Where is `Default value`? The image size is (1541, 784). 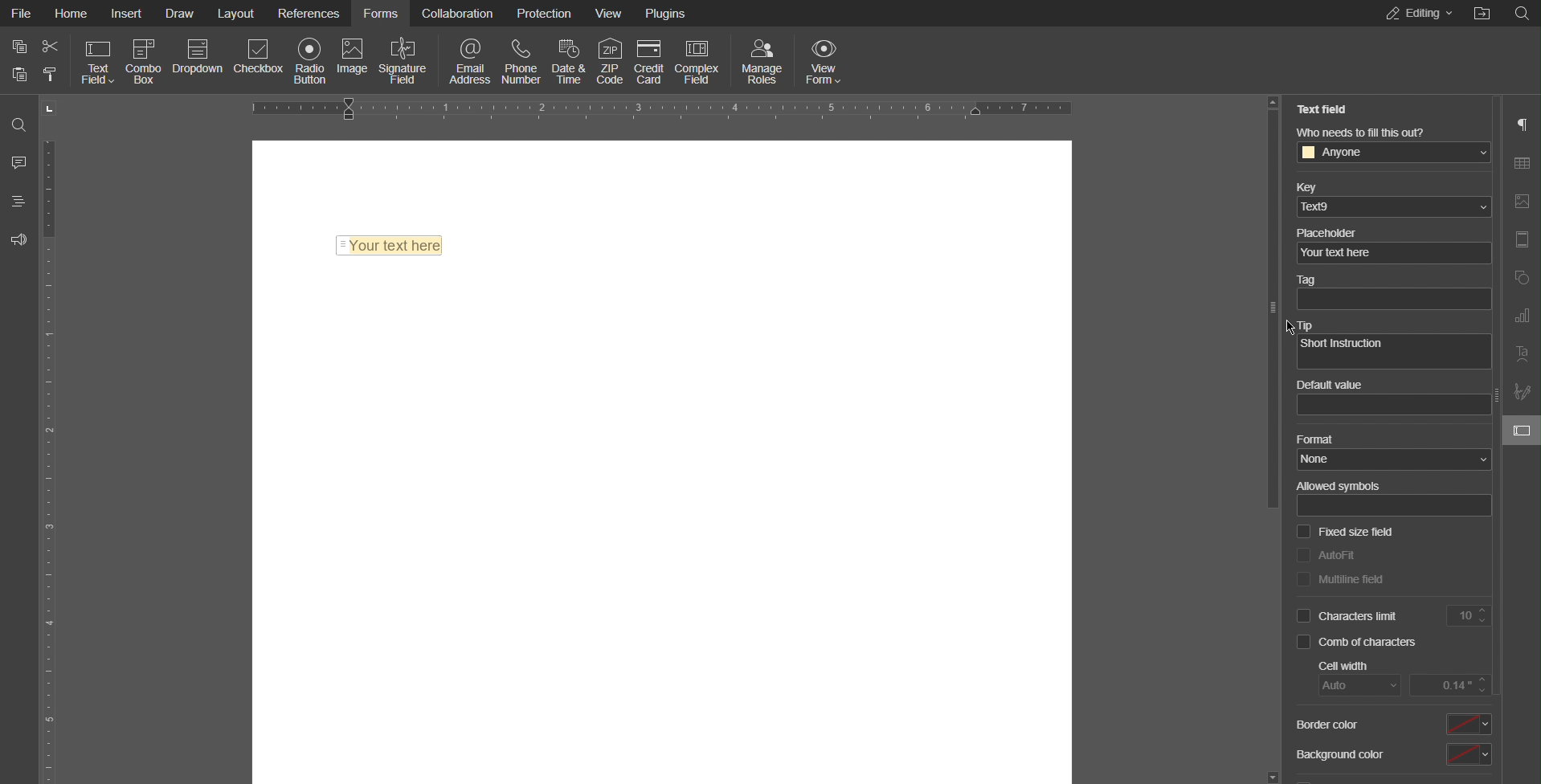 Default value is located at coordinates (1342, 382).